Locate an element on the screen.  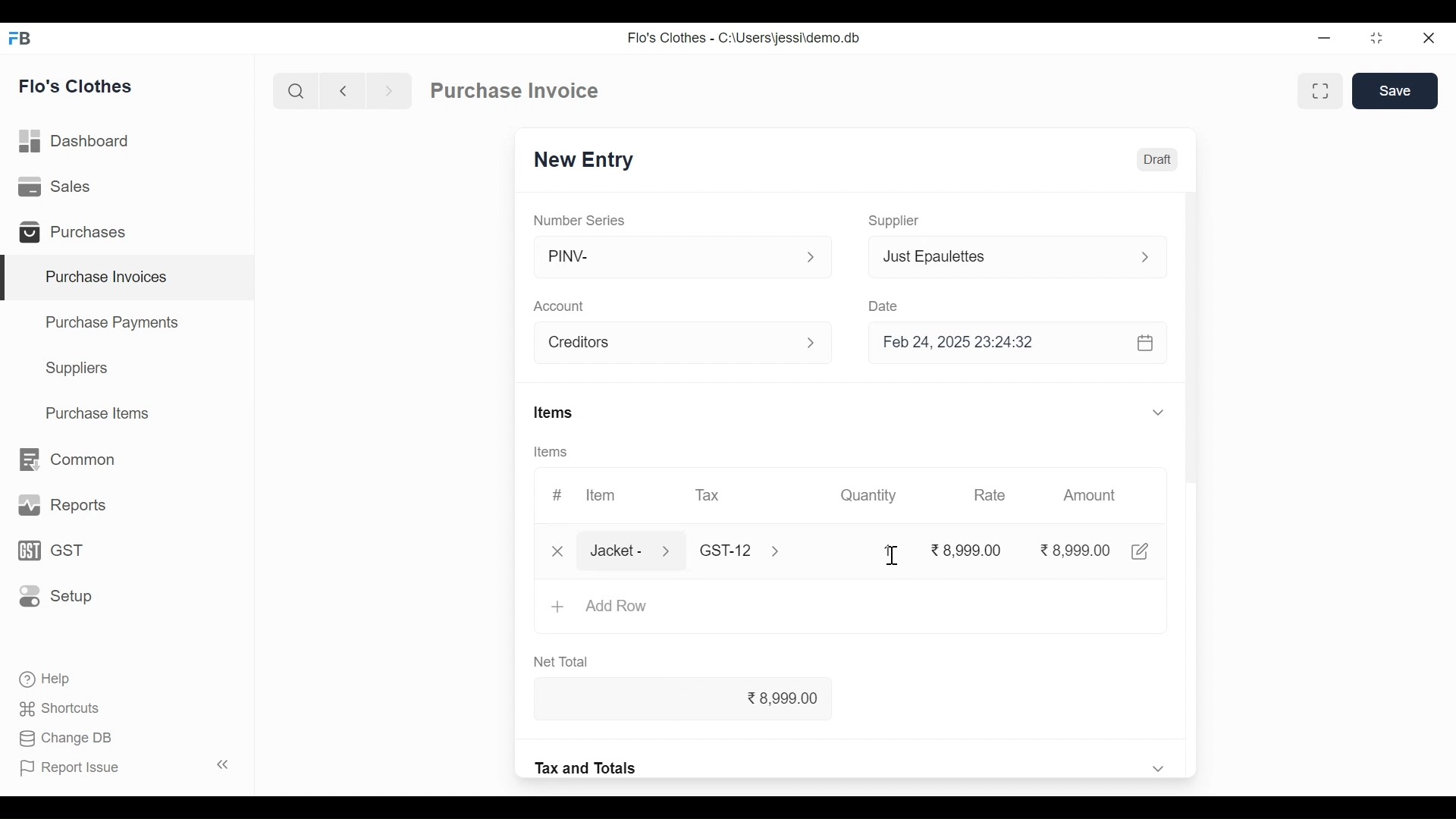
8,999.00 is located at coordinates (967, 551).